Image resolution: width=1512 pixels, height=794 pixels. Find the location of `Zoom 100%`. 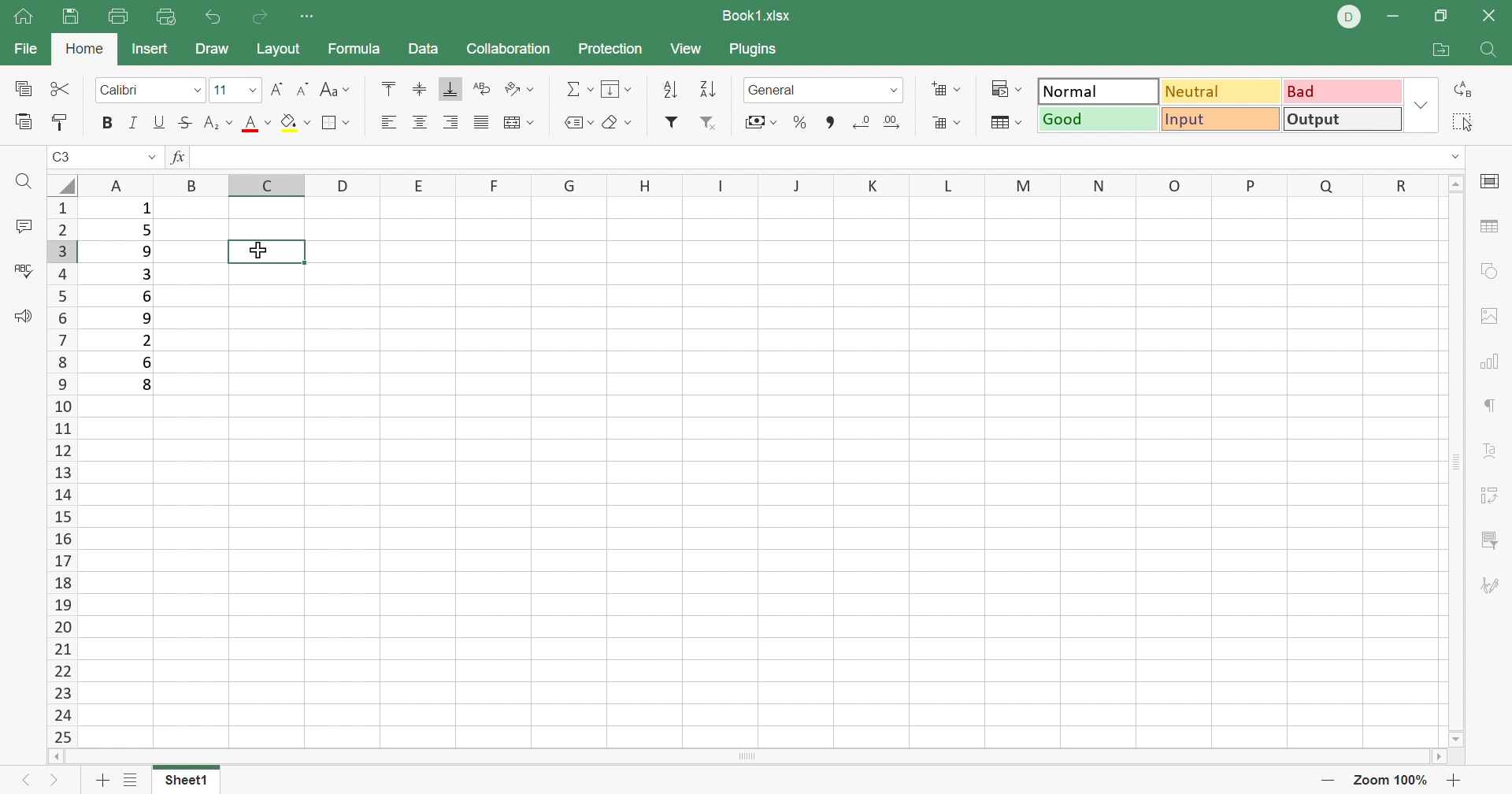

Zoom 100% is located at coordinates (1391, 781).